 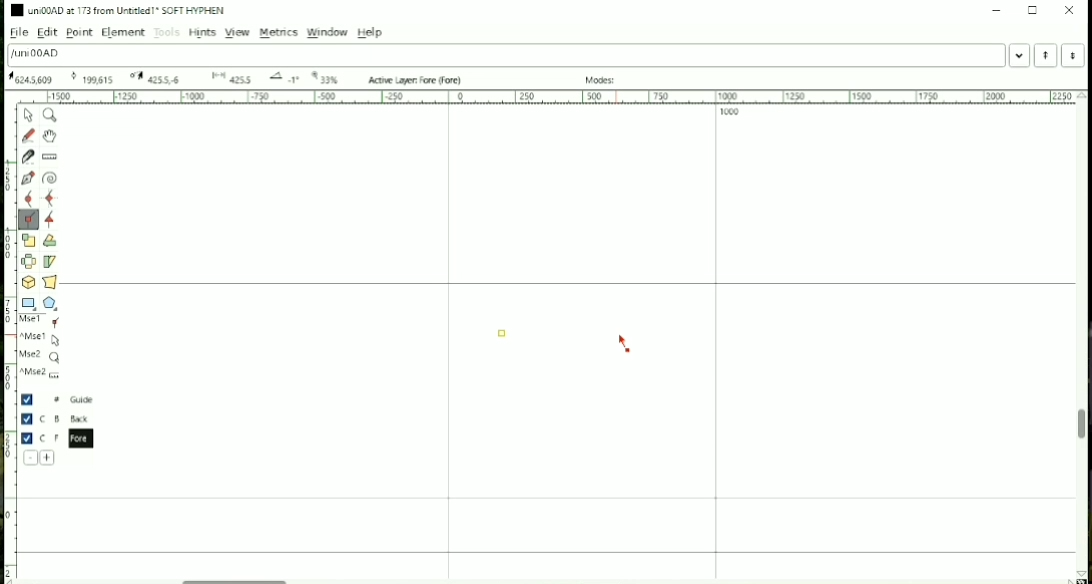 I want to click on Magnify, so click(x=51, y=115).